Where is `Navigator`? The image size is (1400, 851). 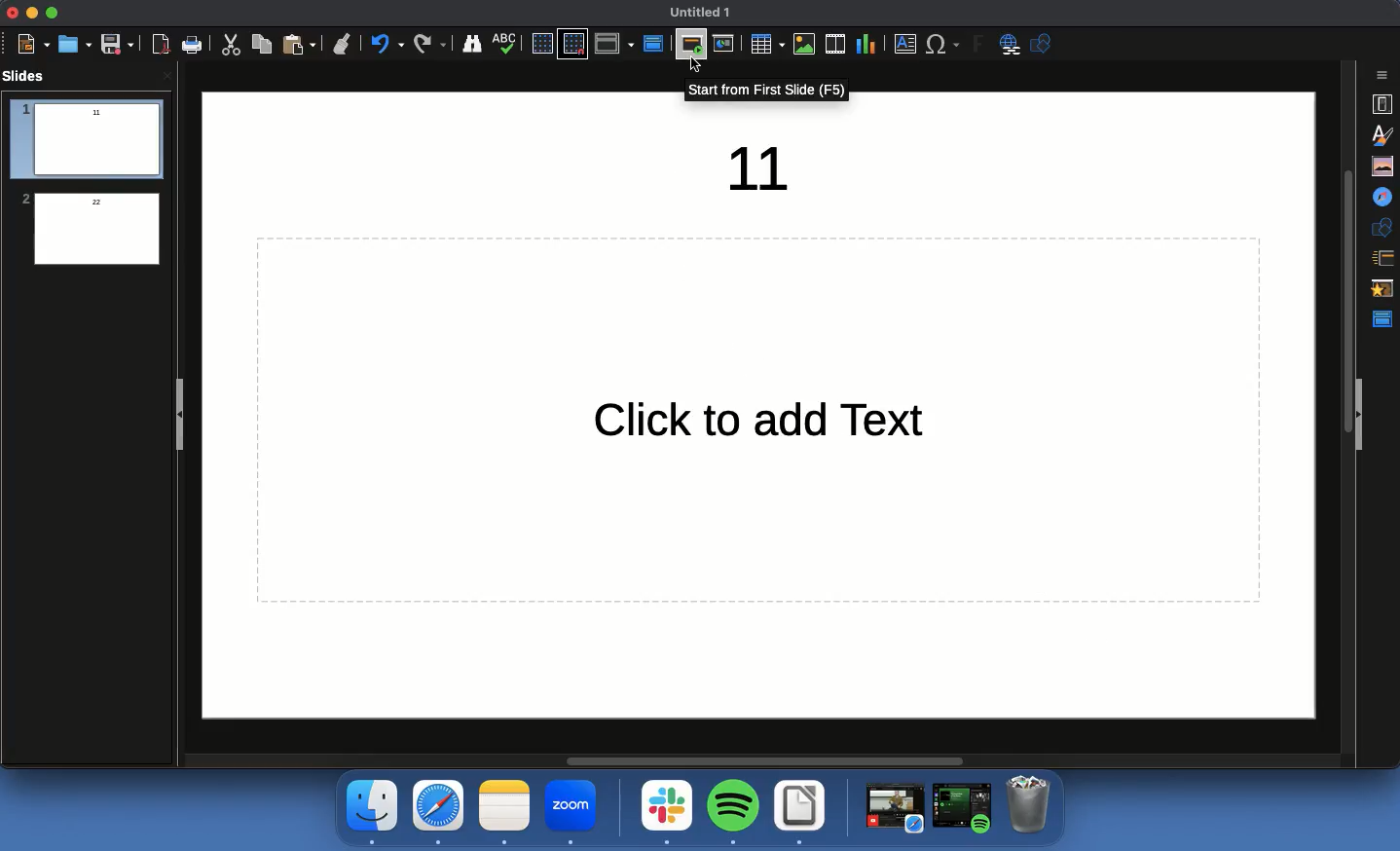 Navigator is located at coordinates (1384, 197).